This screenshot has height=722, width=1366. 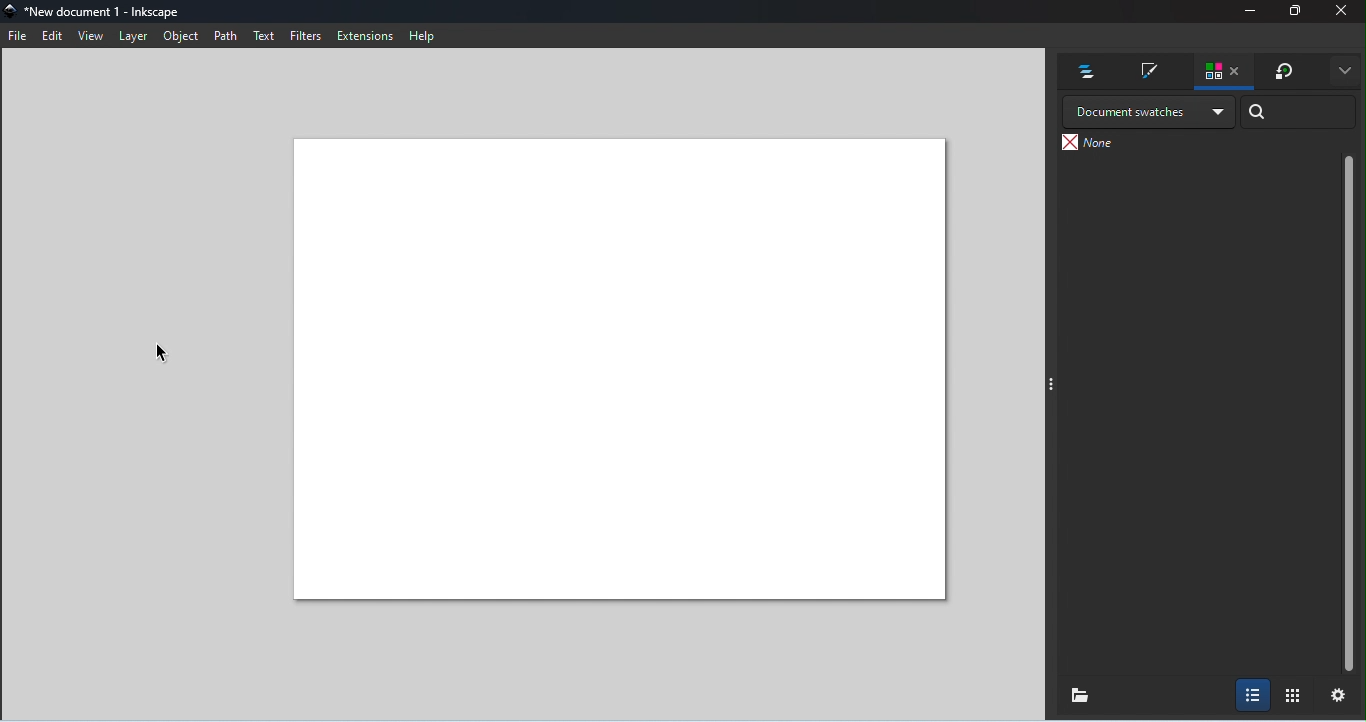 I want to click on Maximize, so click(x=1292, y=12).